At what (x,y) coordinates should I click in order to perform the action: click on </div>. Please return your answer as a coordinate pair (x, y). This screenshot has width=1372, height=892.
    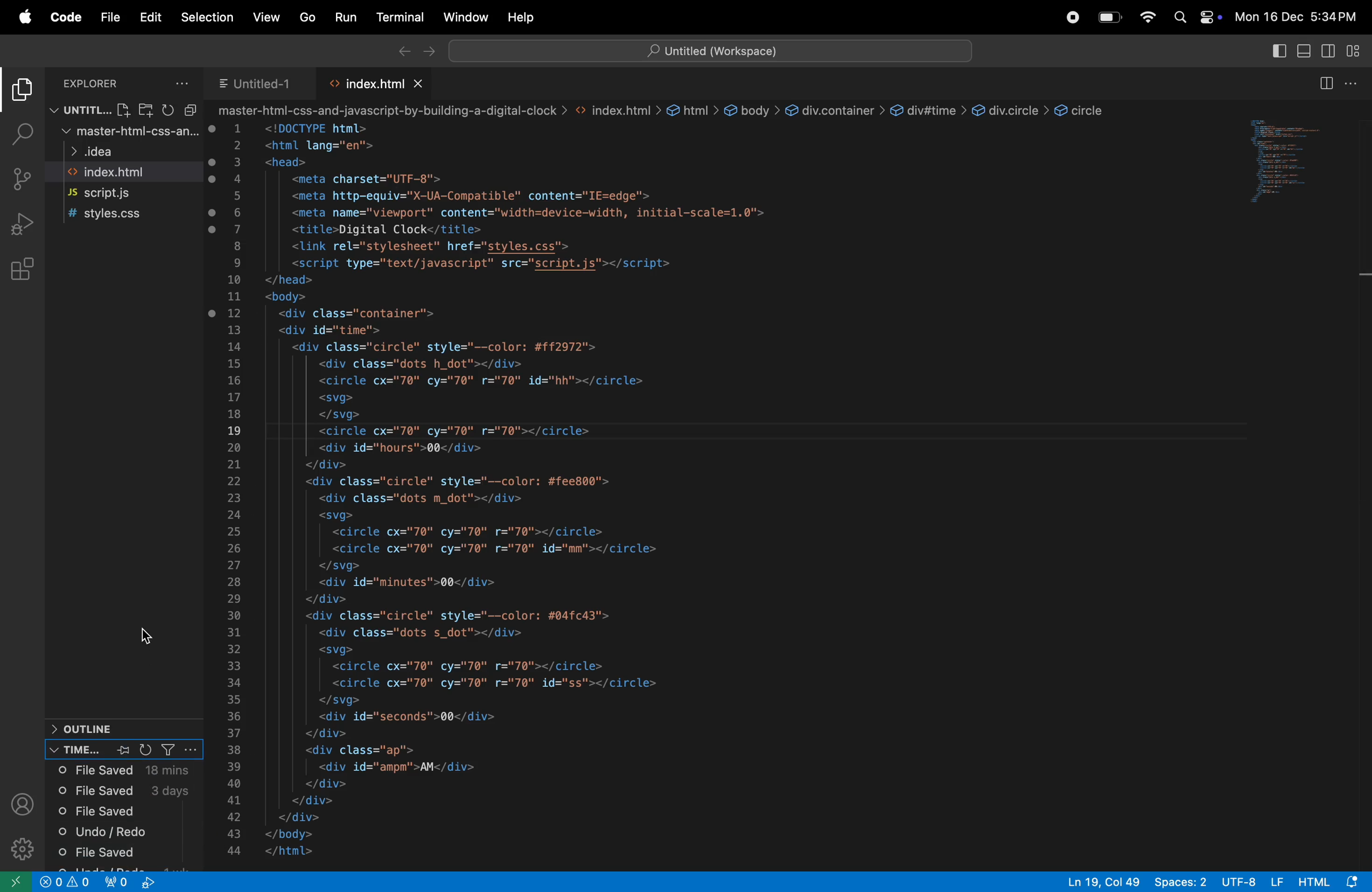
    Looking at the image, I should click on (321, 800).